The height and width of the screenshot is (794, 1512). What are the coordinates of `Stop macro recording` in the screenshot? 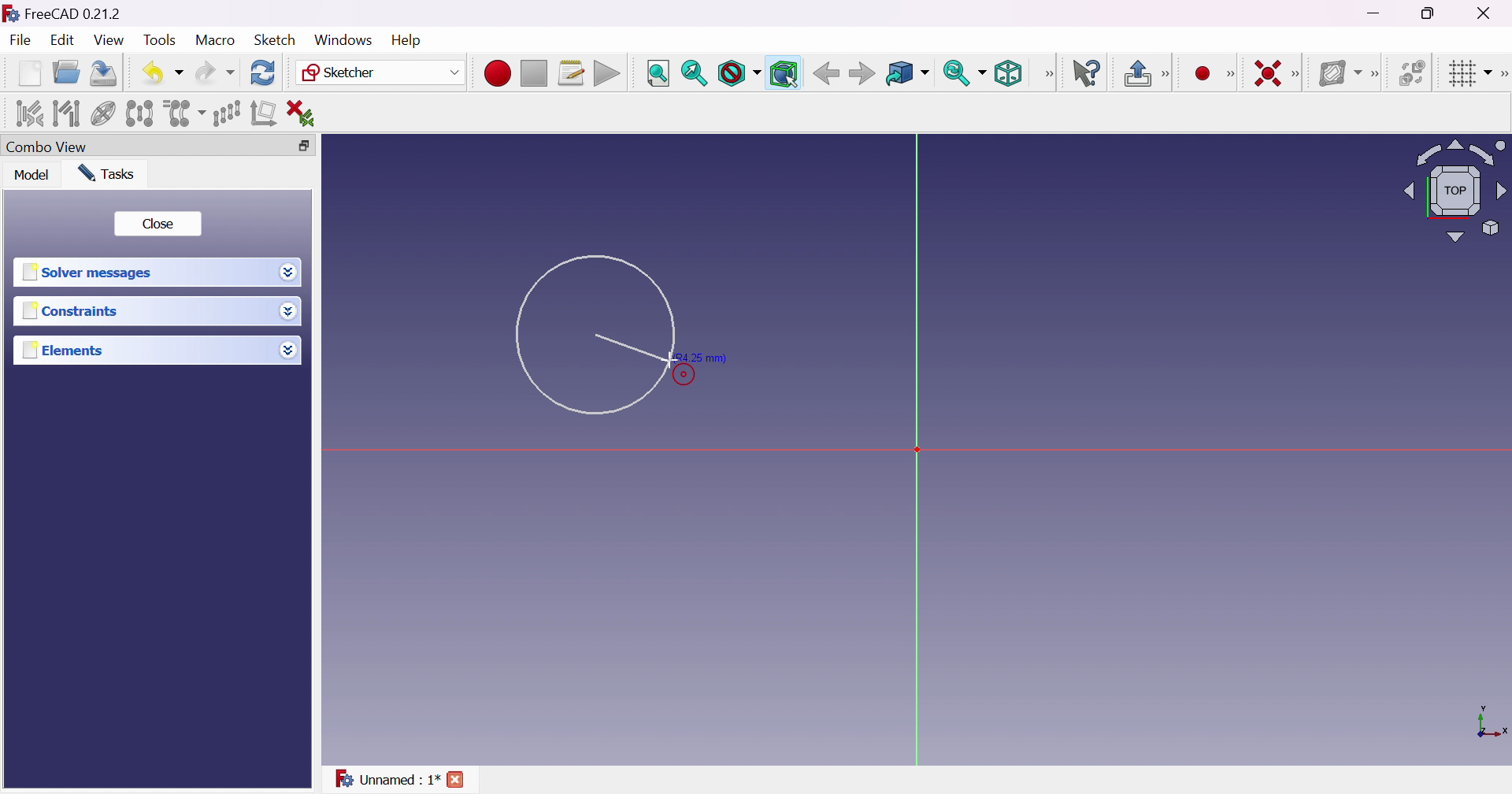 It's located at (532, 74).